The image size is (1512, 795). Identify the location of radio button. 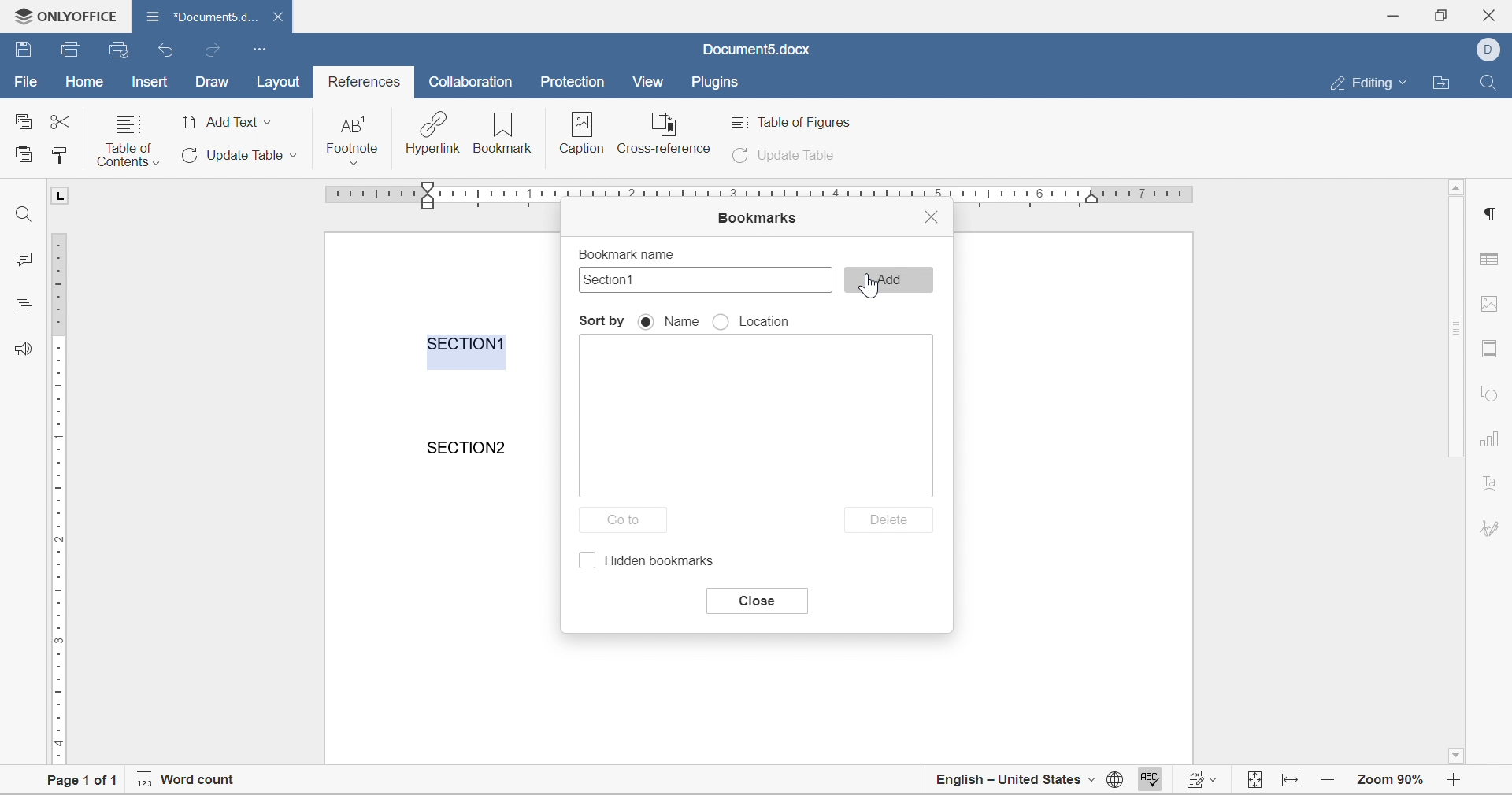
(722, 323).